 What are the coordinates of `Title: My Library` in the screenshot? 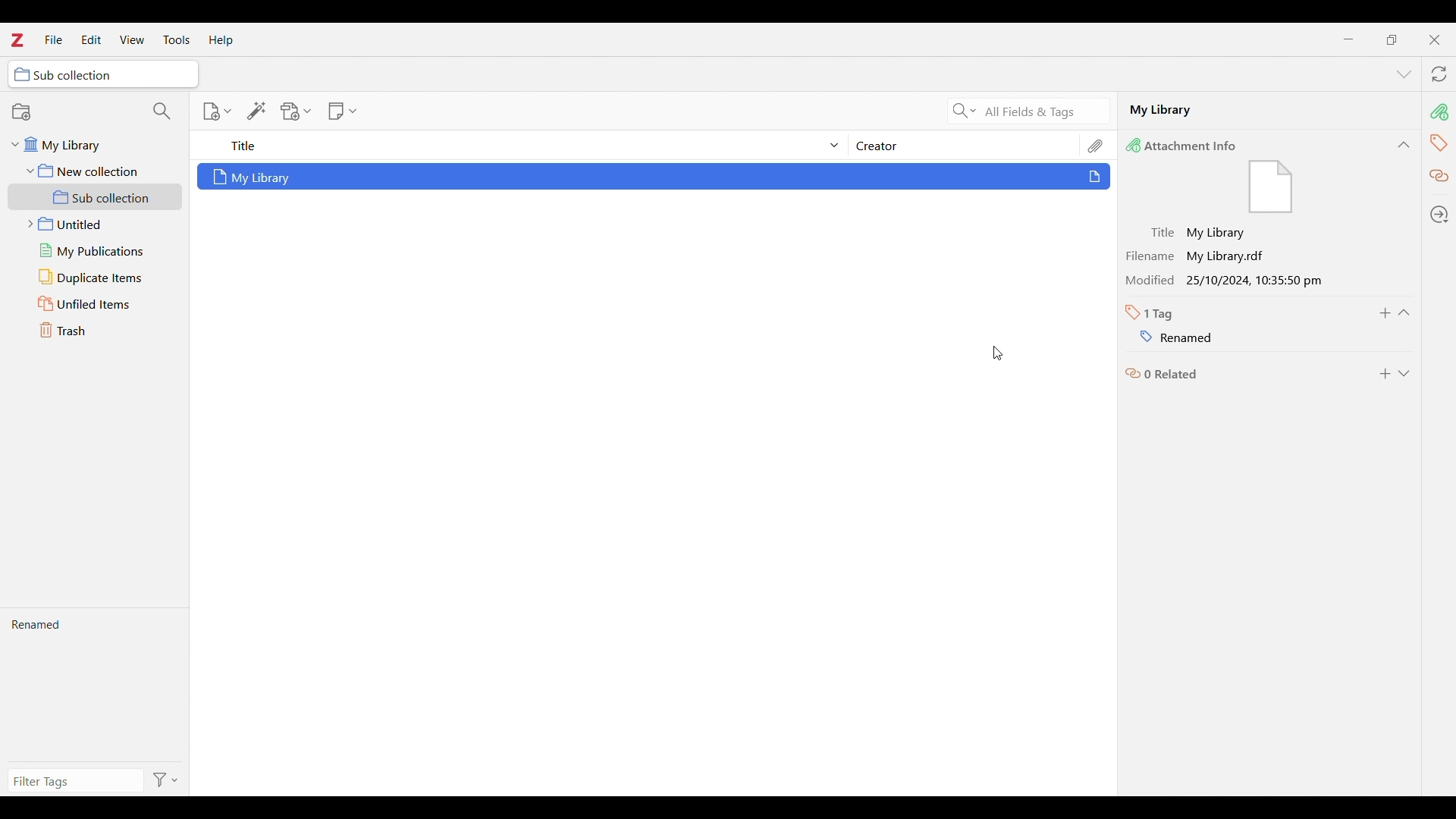 It's located at (1200, 233).